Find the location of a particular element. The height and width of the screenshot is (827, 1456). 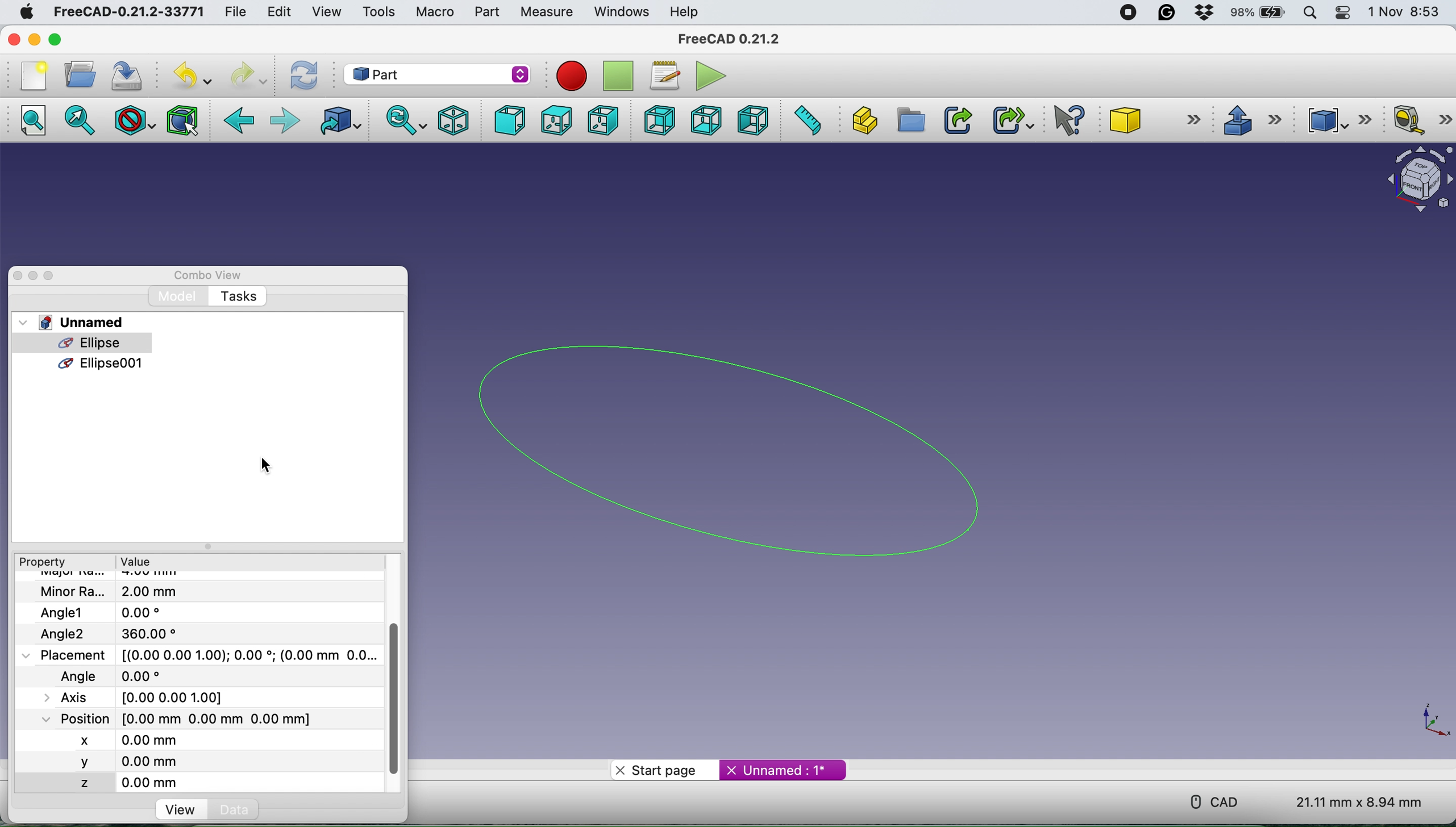

cursor is located at coordinates (260, 465).